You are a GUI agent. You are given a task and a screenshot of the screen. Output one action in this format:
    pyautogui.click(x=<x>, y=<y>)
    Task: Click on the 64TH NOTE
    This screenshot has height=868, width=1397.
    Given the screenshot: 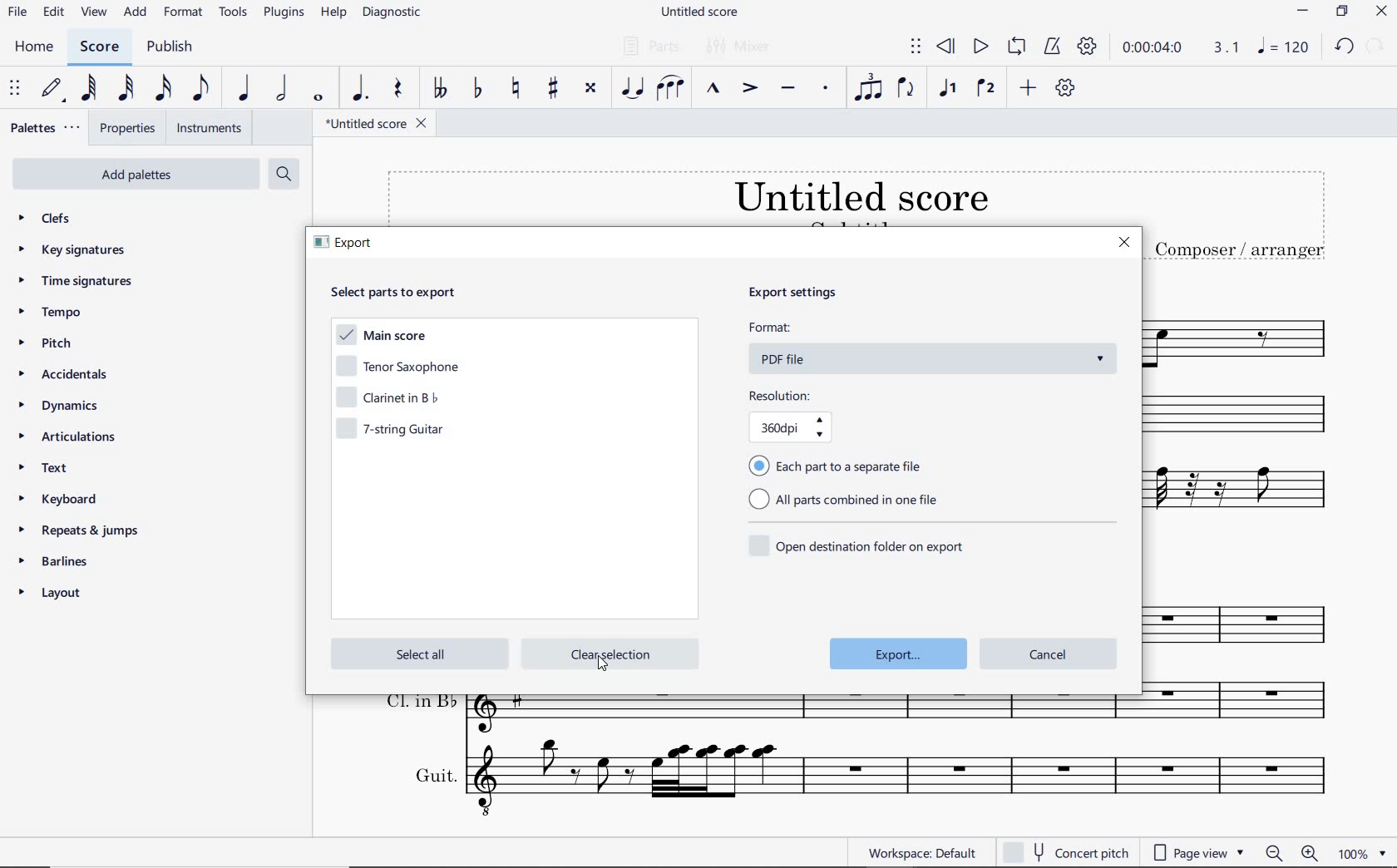 What is the action you would take?
    pyautogui.click(x=89, y=90)
    